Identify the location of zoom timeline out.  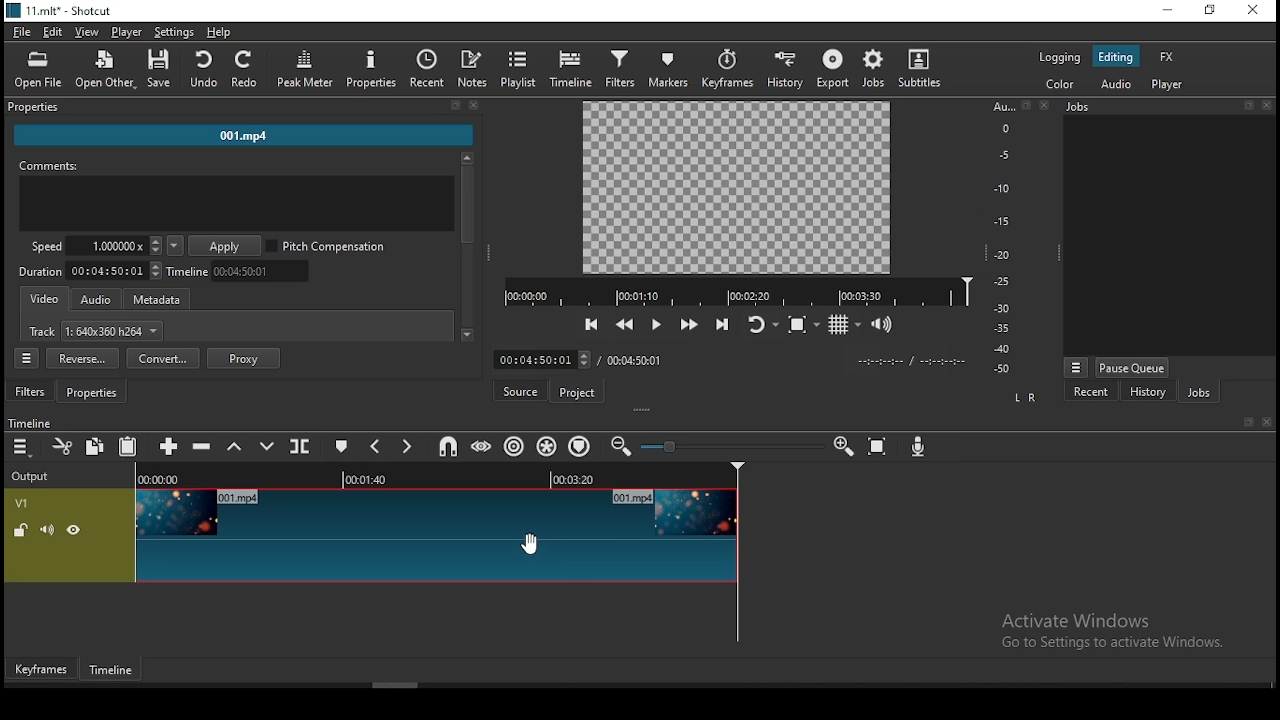
(621, 446).